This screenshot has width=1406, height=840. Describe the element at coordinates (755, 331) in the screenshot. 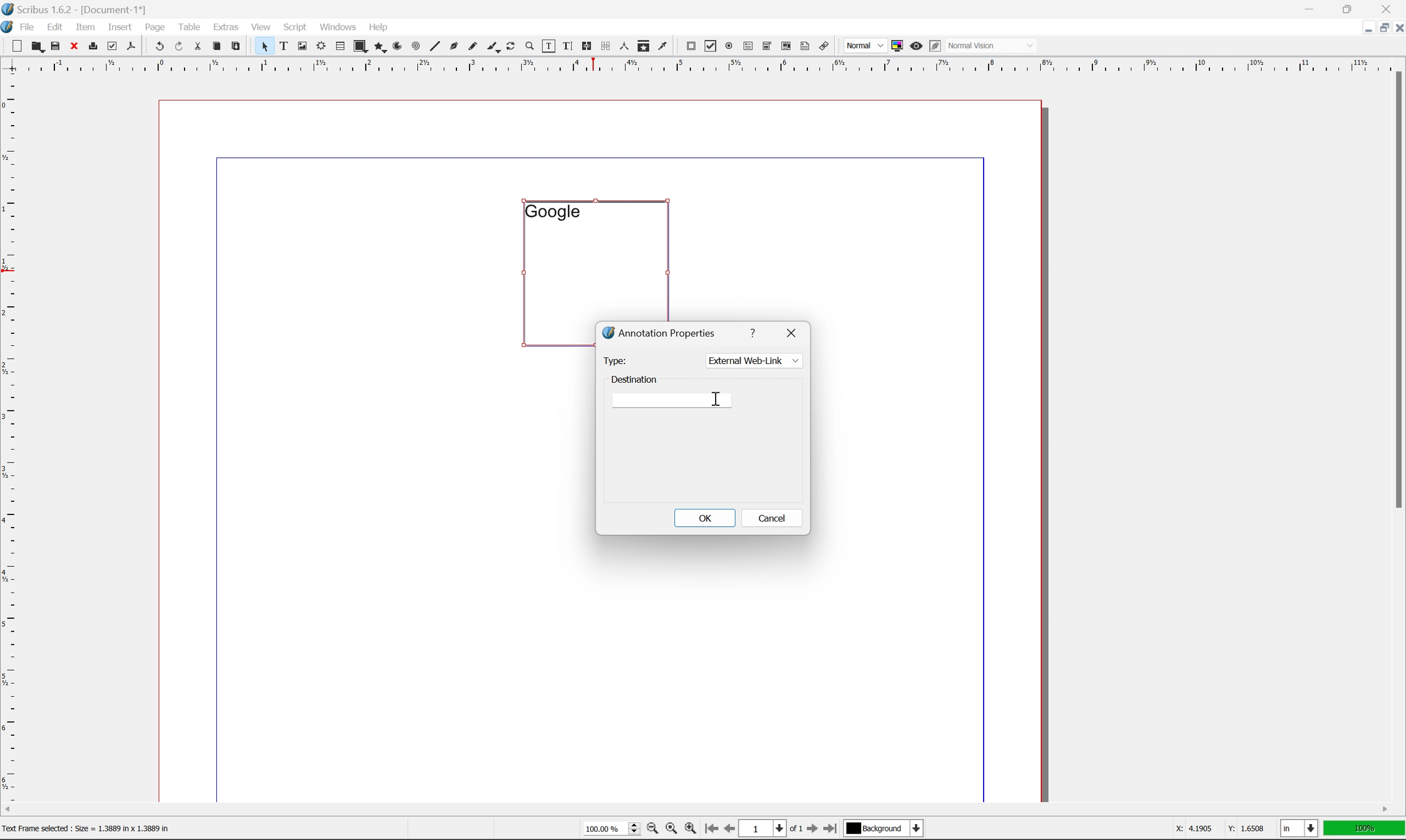

I see `help` at that location.